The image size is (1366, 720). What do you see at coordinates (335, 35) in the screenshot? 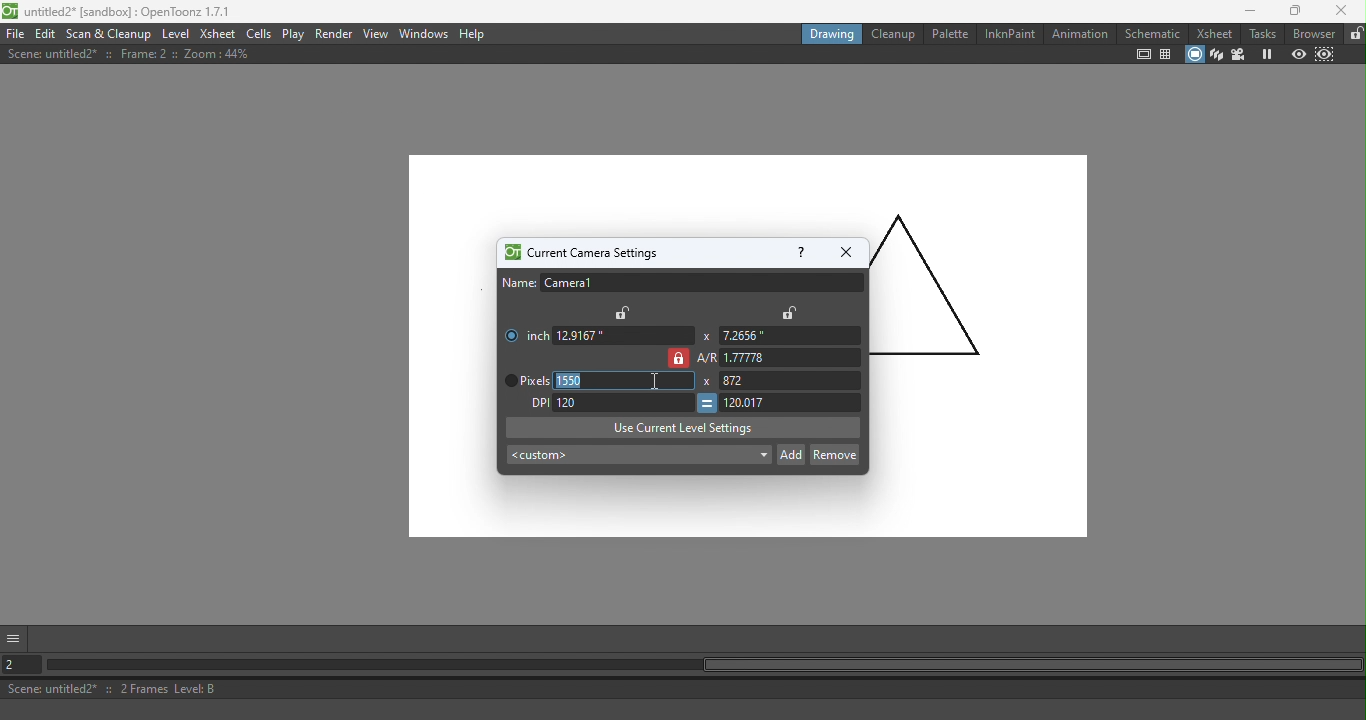
I see `Render` at bounding box center [335, 35].